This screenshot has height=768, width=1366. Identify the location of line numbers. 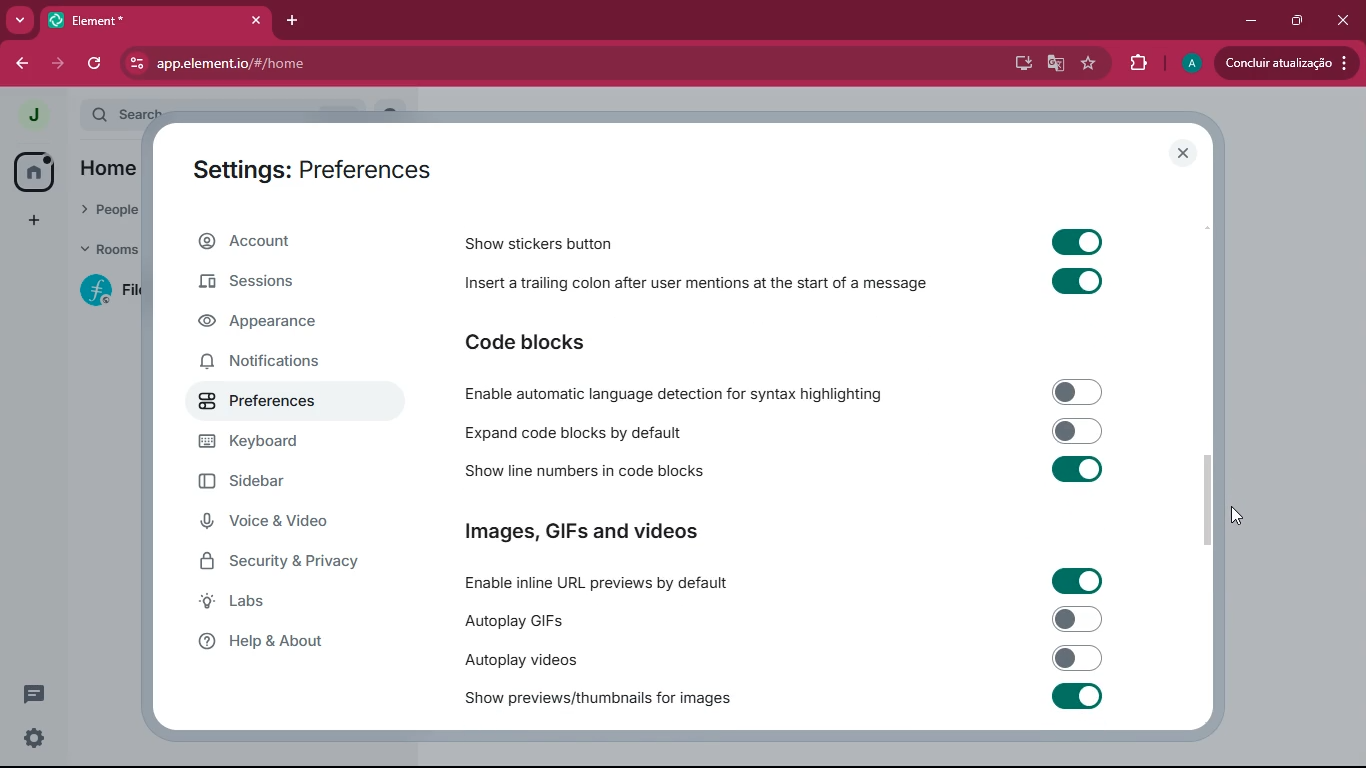
(579, 472).